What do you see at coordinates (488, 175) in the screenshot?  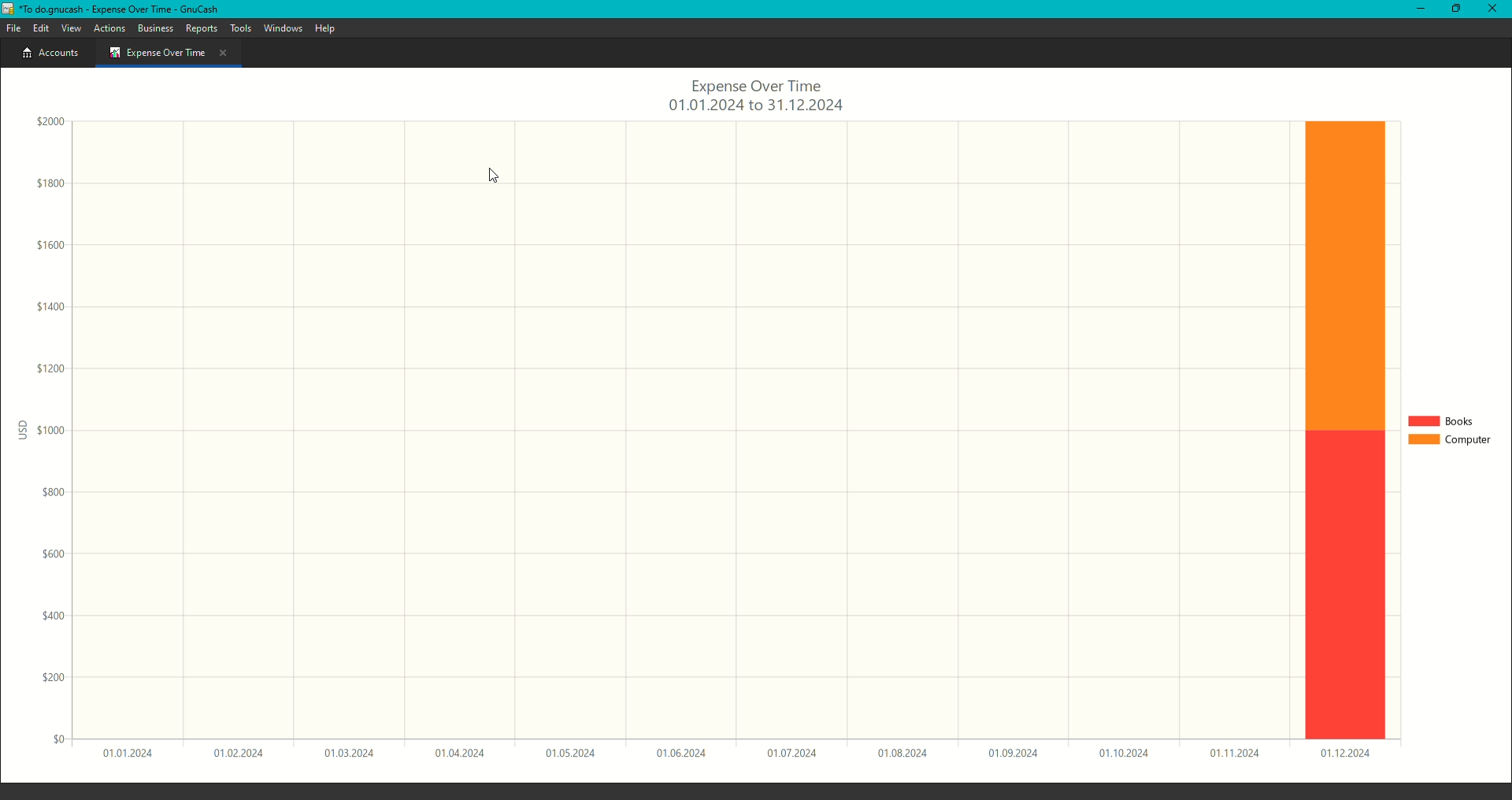 I see `Cursor` at bounding box center [488, 175].